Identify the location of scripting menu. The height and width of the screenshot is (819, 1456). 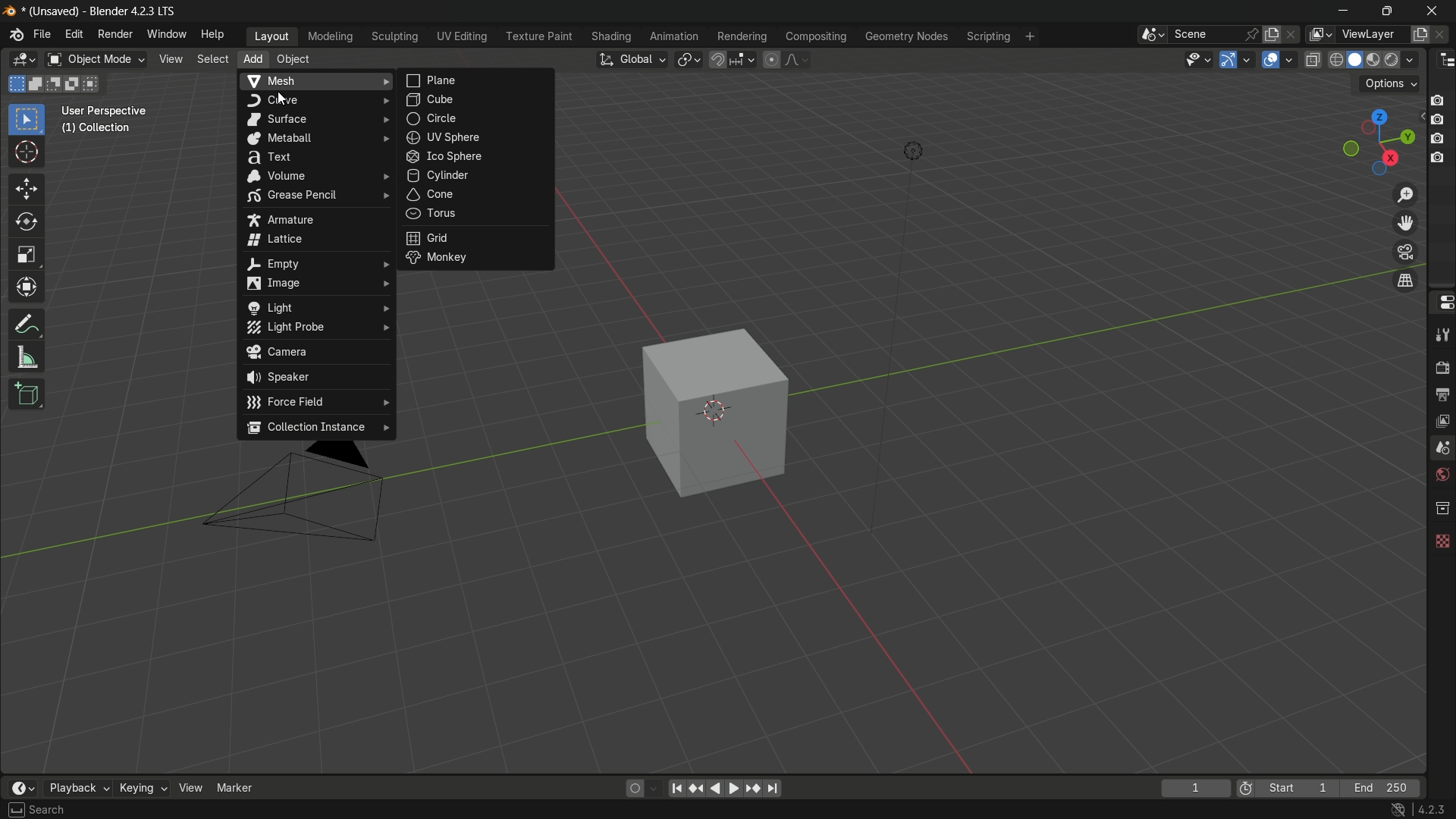
(987, 37).